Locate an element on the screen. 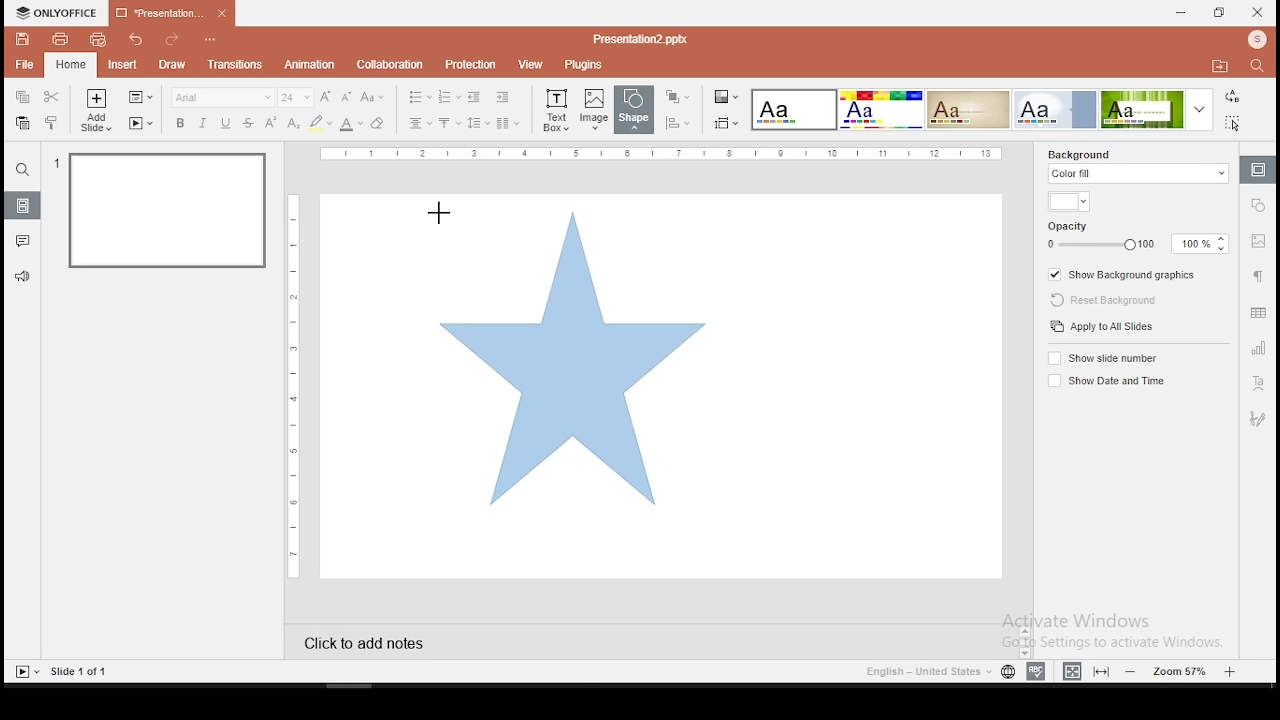 This screenshot has height=720, width=1280. fit to slide is located at coordinates (1101, 671).